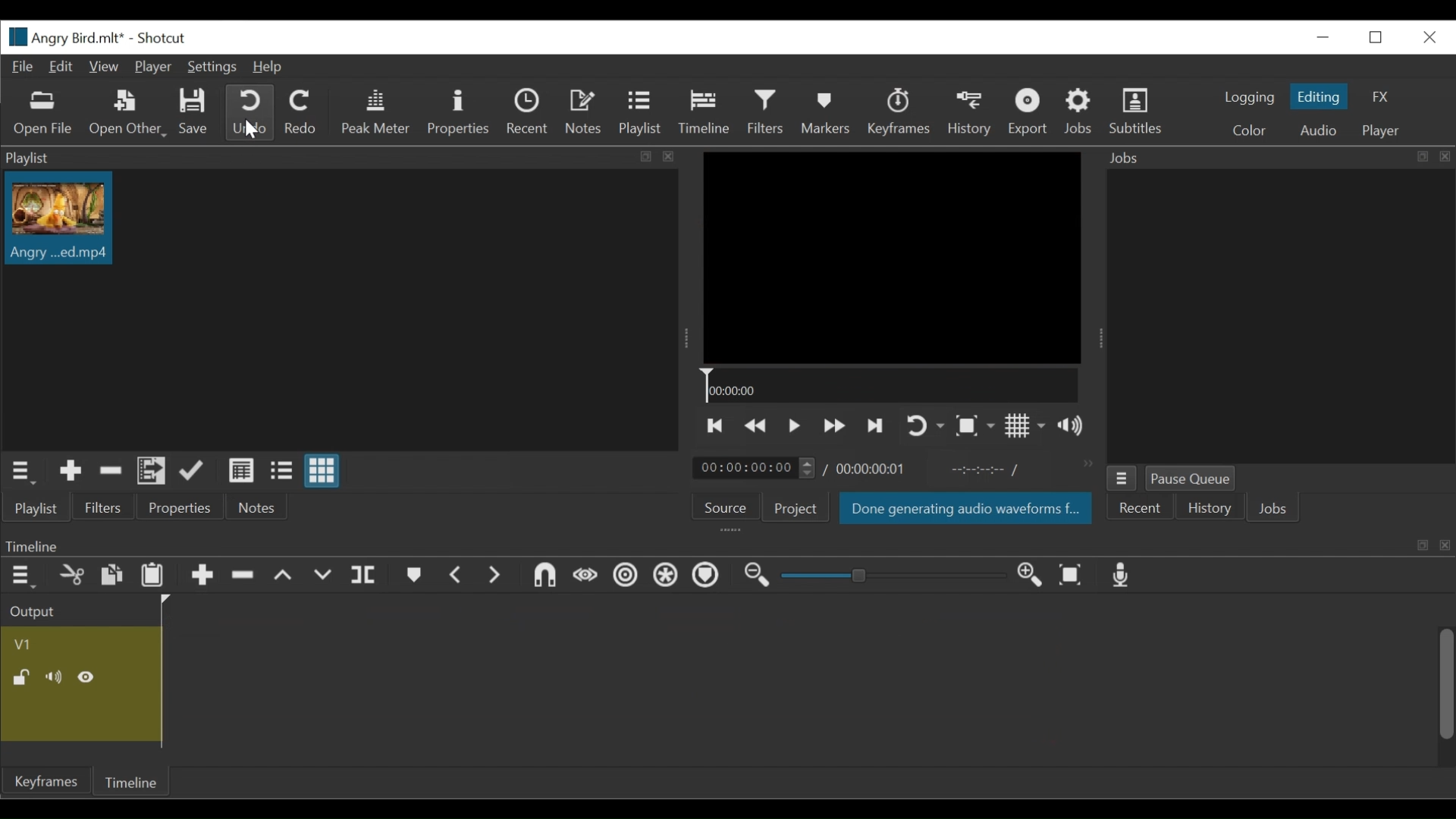  Describe the element at coordinates (1323, 39) in the screenshot. I see `minimize` at that location.